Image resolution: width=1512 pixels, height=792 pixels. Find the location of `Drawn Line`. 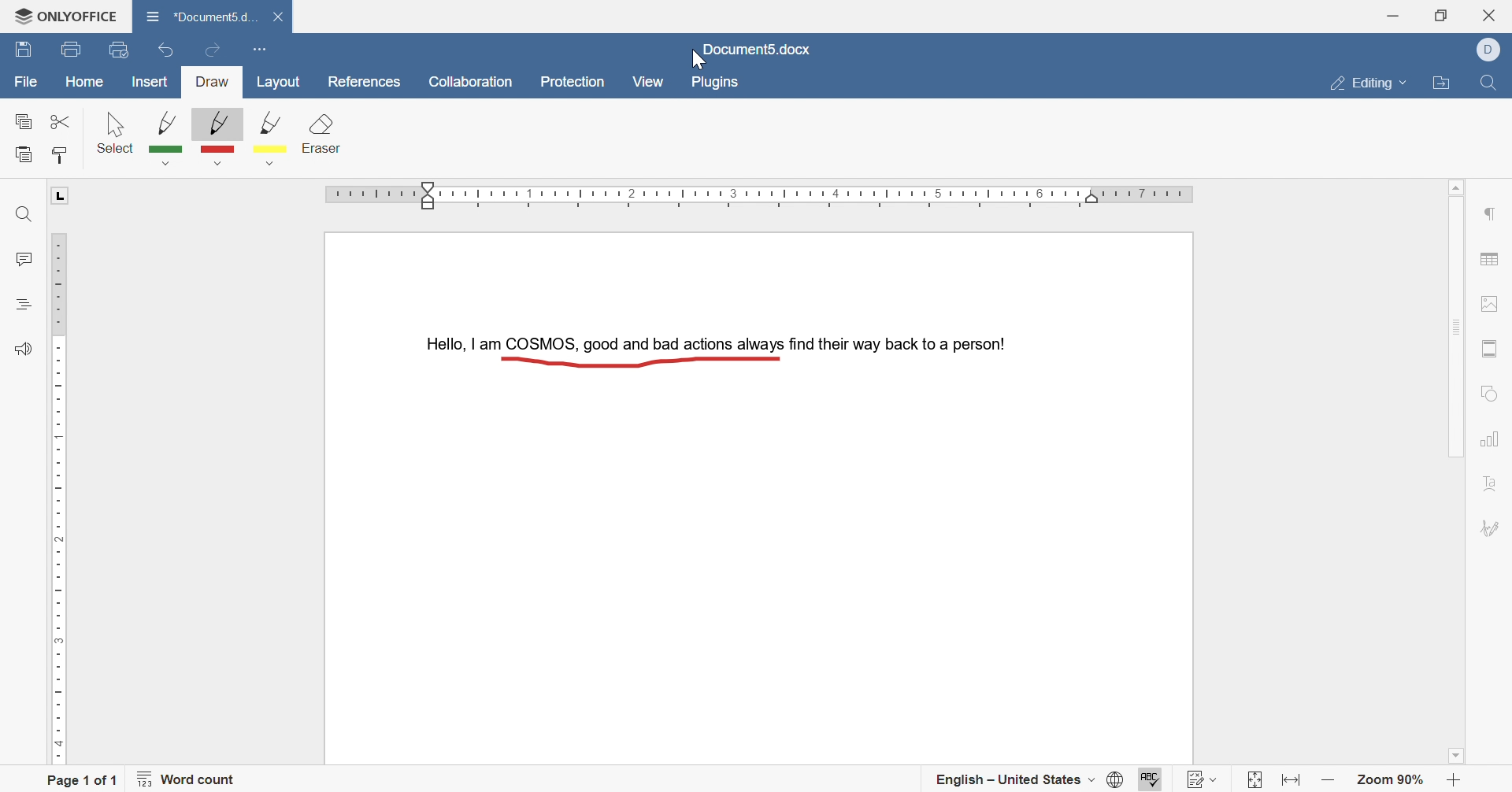

Drawn Line is located at coordinates (638, 361).